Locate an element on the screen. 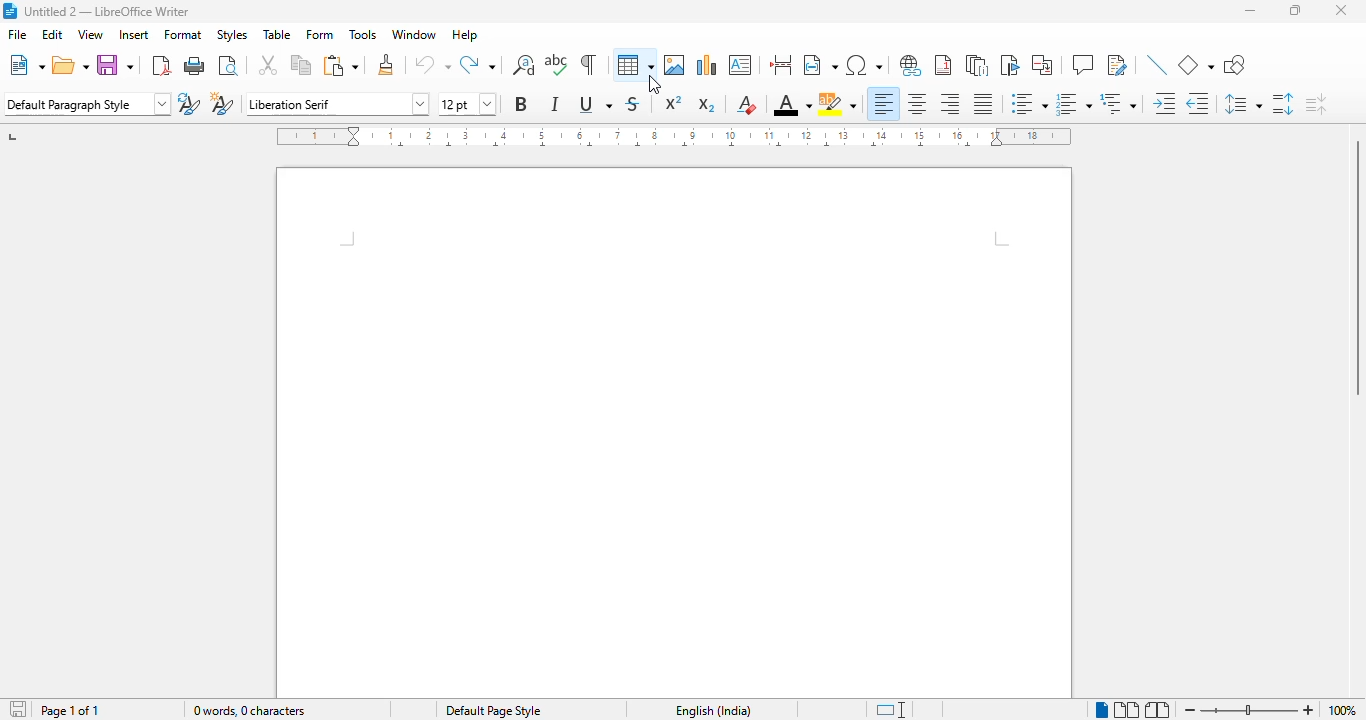  toggle ordered list is located at coordinates (1074, 104).